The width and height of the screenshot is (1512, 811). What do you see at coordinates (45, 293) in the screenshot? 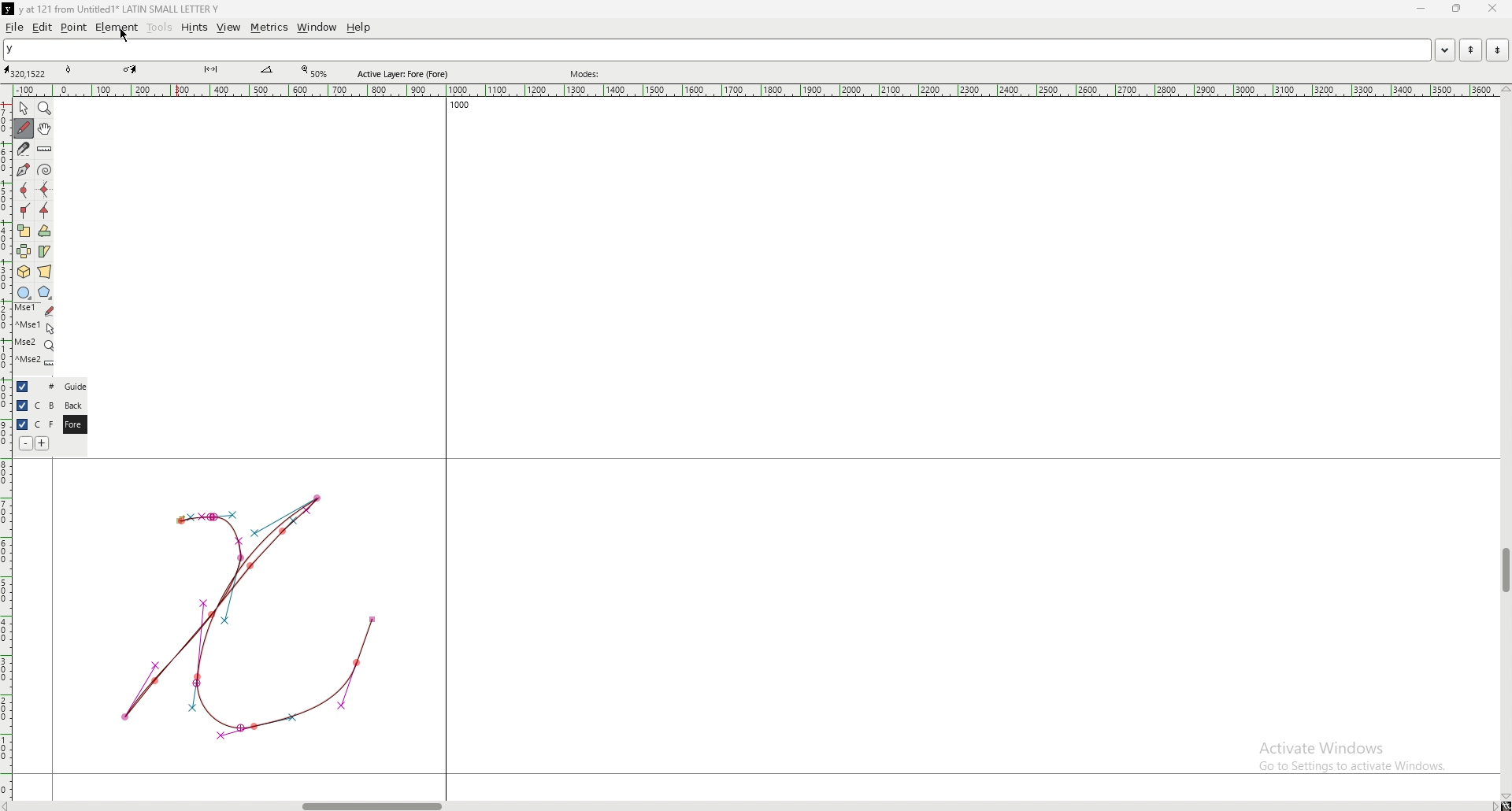
I see `polygon or star` at bounding box center [45, 293].